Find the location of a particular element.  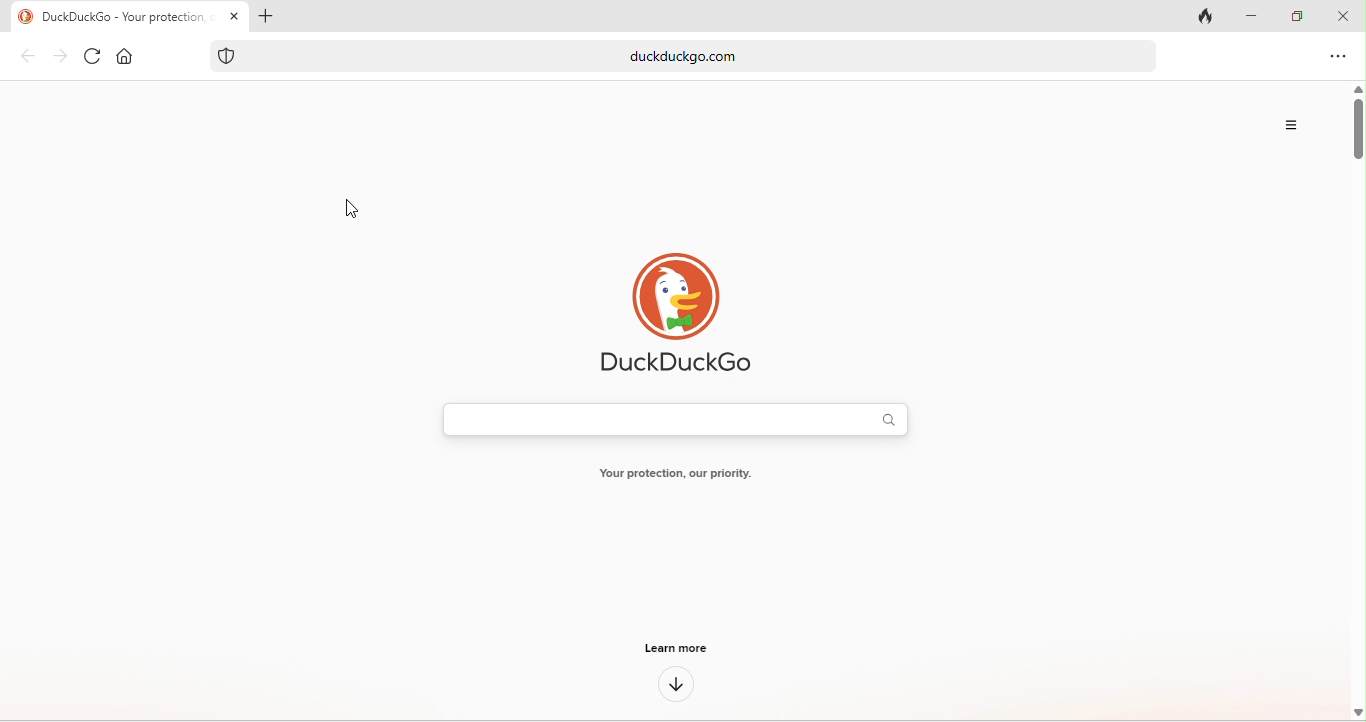

learn more is located at coordinates (673, 647).